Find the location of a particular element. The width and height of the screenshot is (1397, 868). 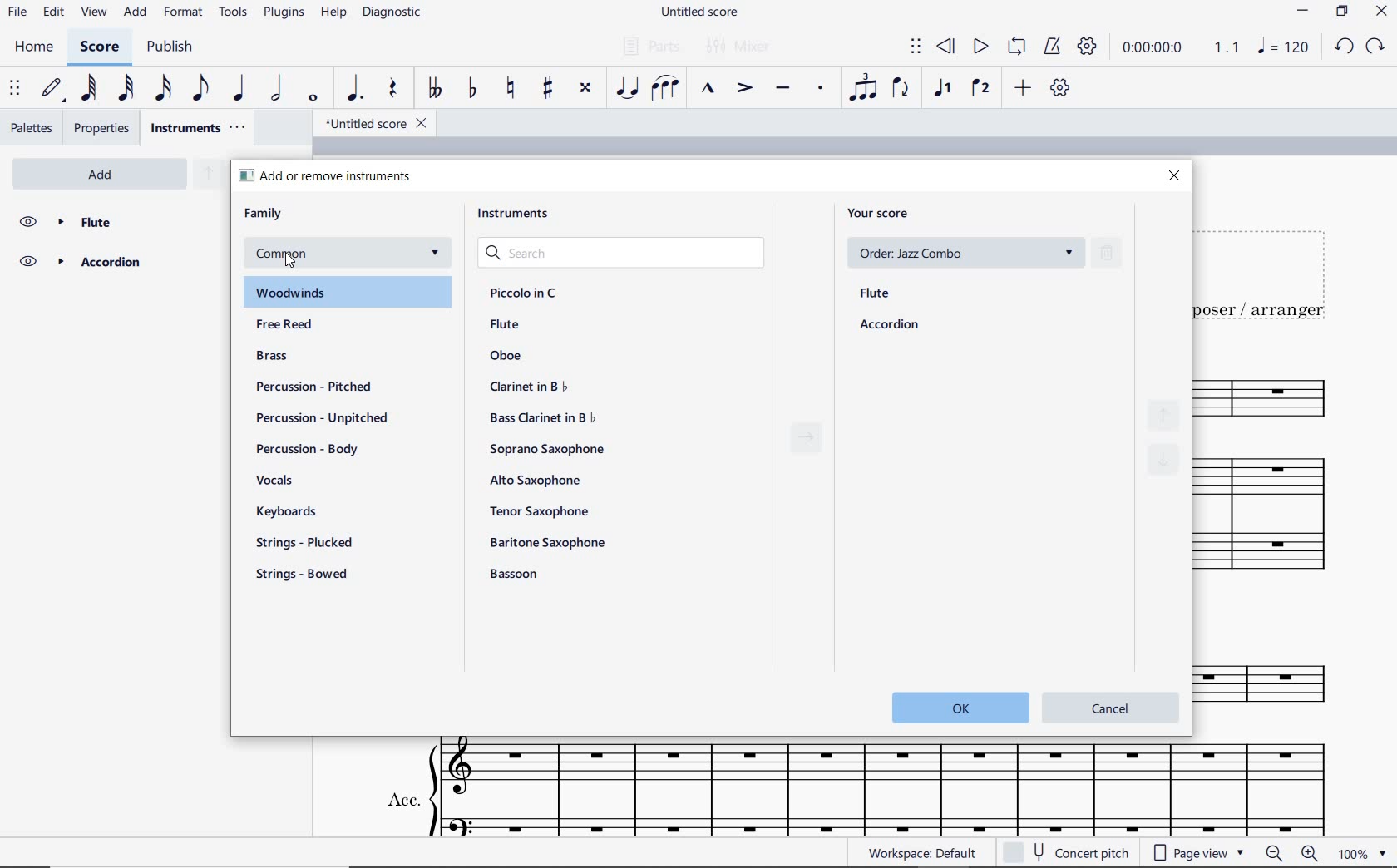

strings - plucked is located at coordinates (310, 543).